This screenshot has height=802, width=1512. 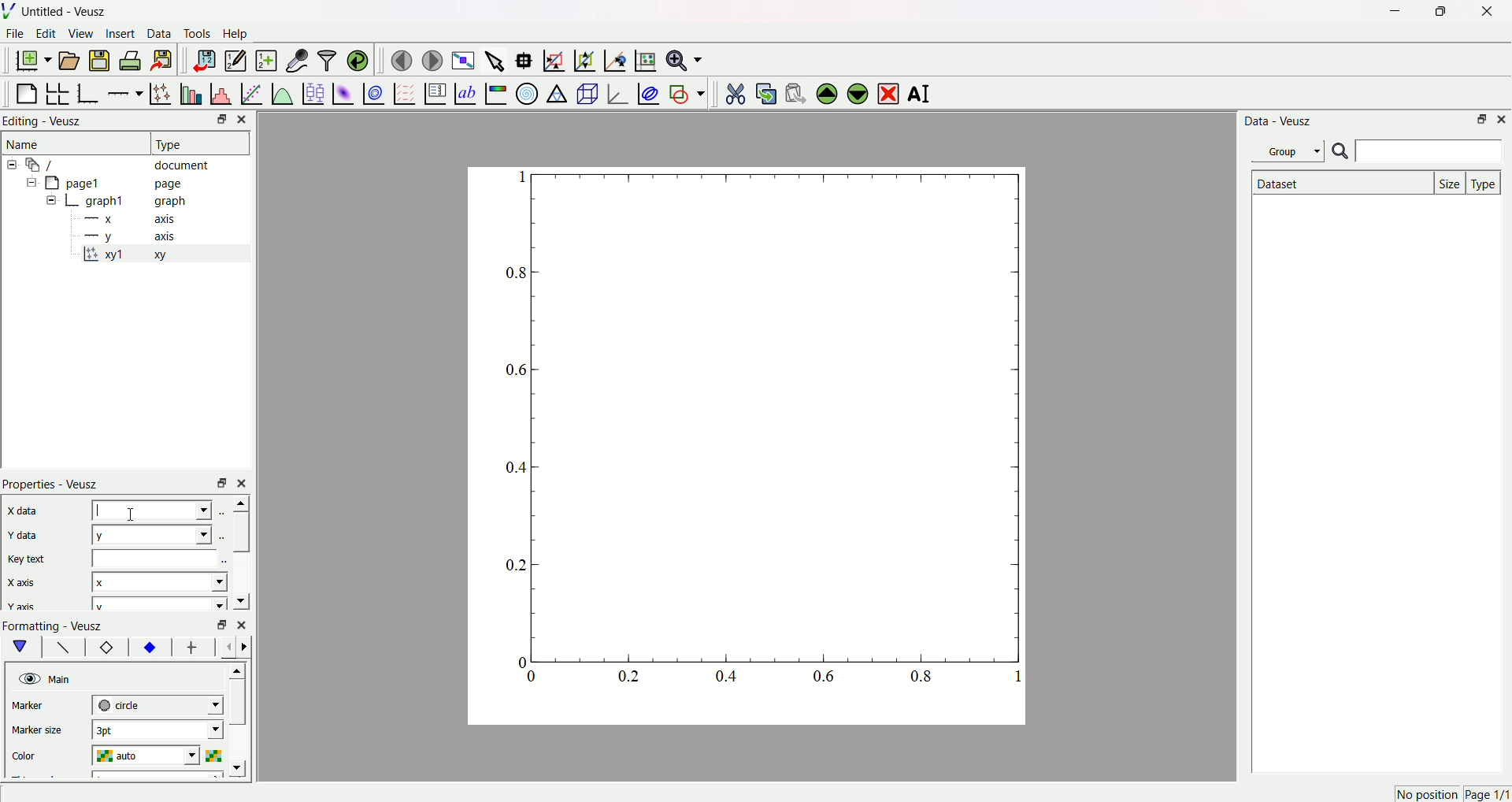 What do you see at coordinates (136, 511) in the screenshot?
I see `cursor` at bounding box center [136, 511].